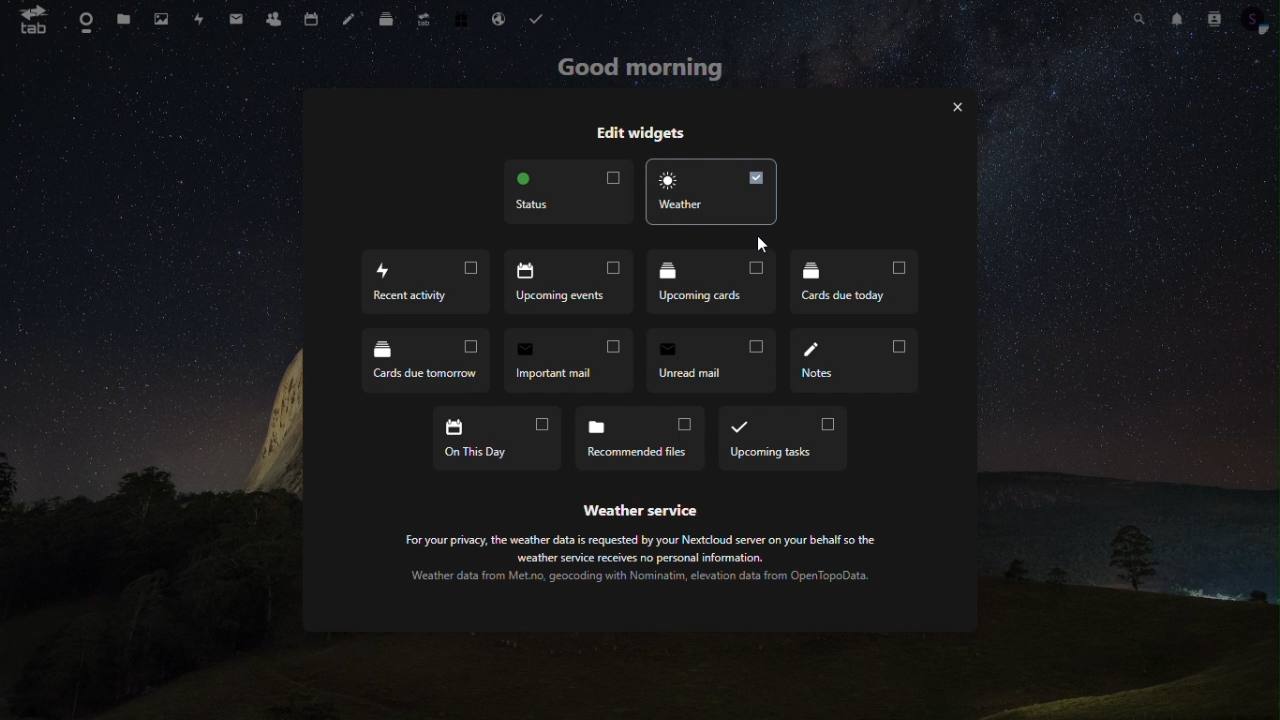  I want to click on activity, so click(201, 21).